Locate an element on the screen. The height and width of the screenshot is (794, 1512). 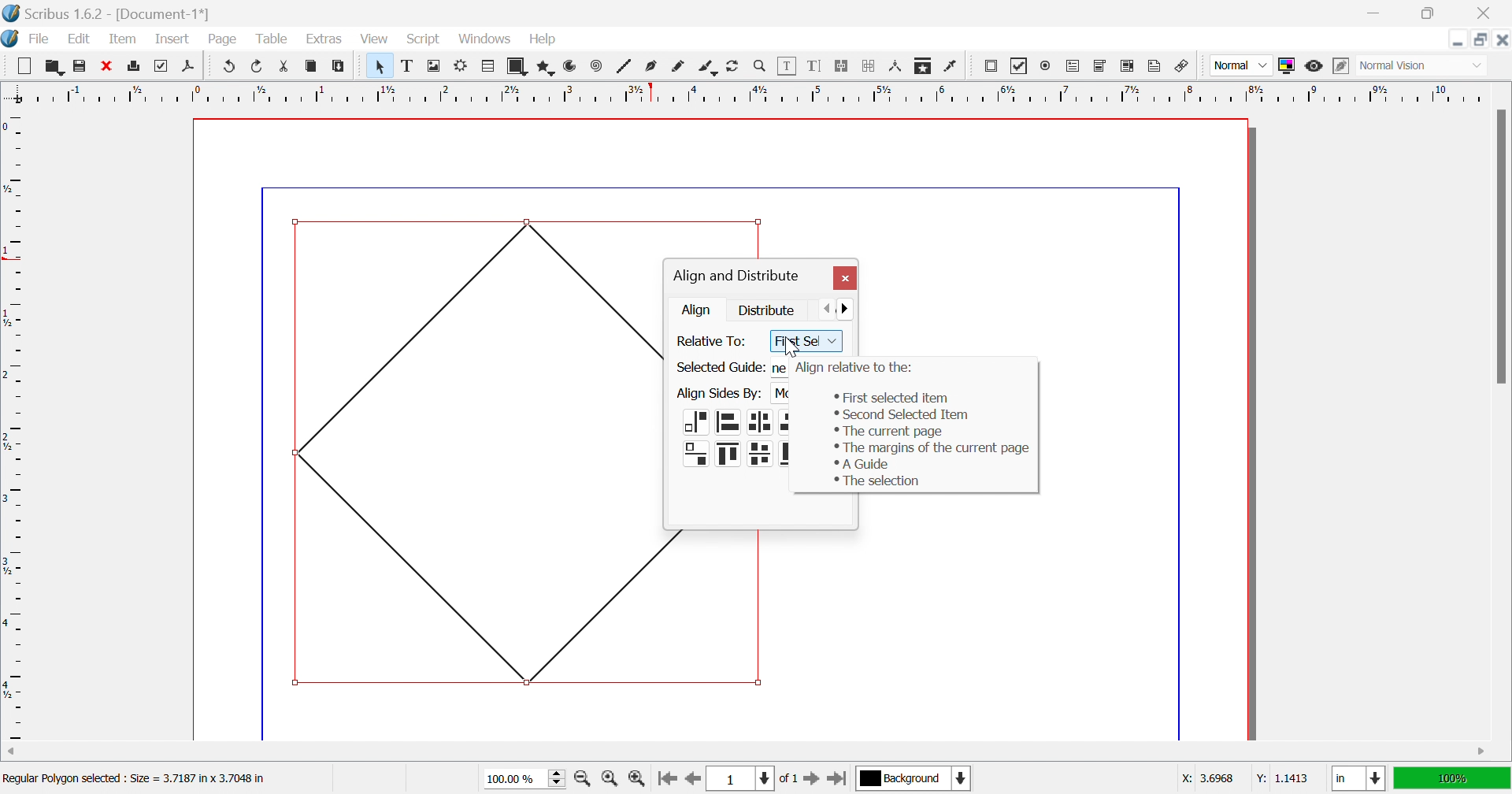
Arc is located at coordinates (570, 65).